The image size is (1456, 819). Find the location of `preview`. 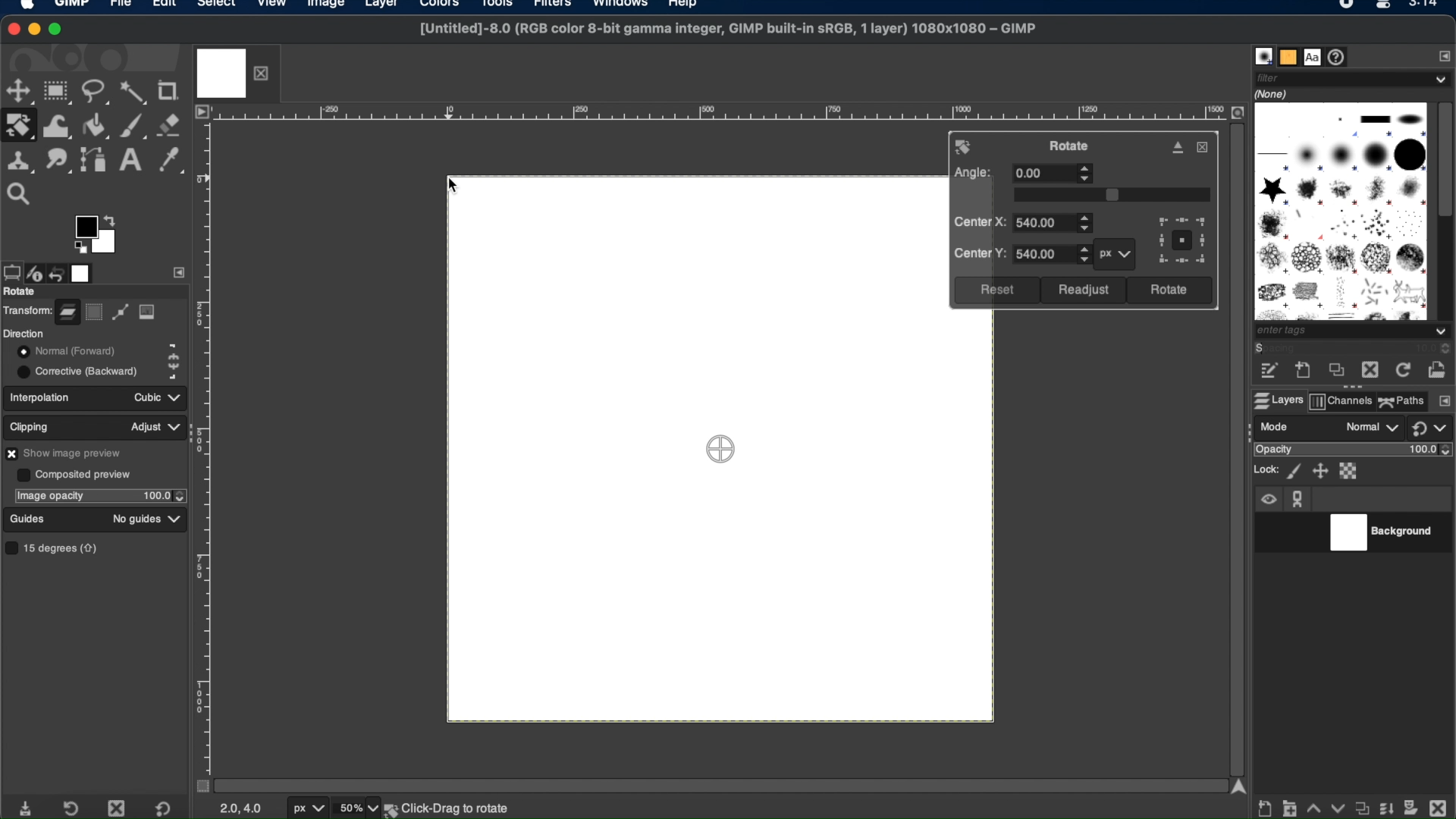

preview is located at coordinates (1181, 241).